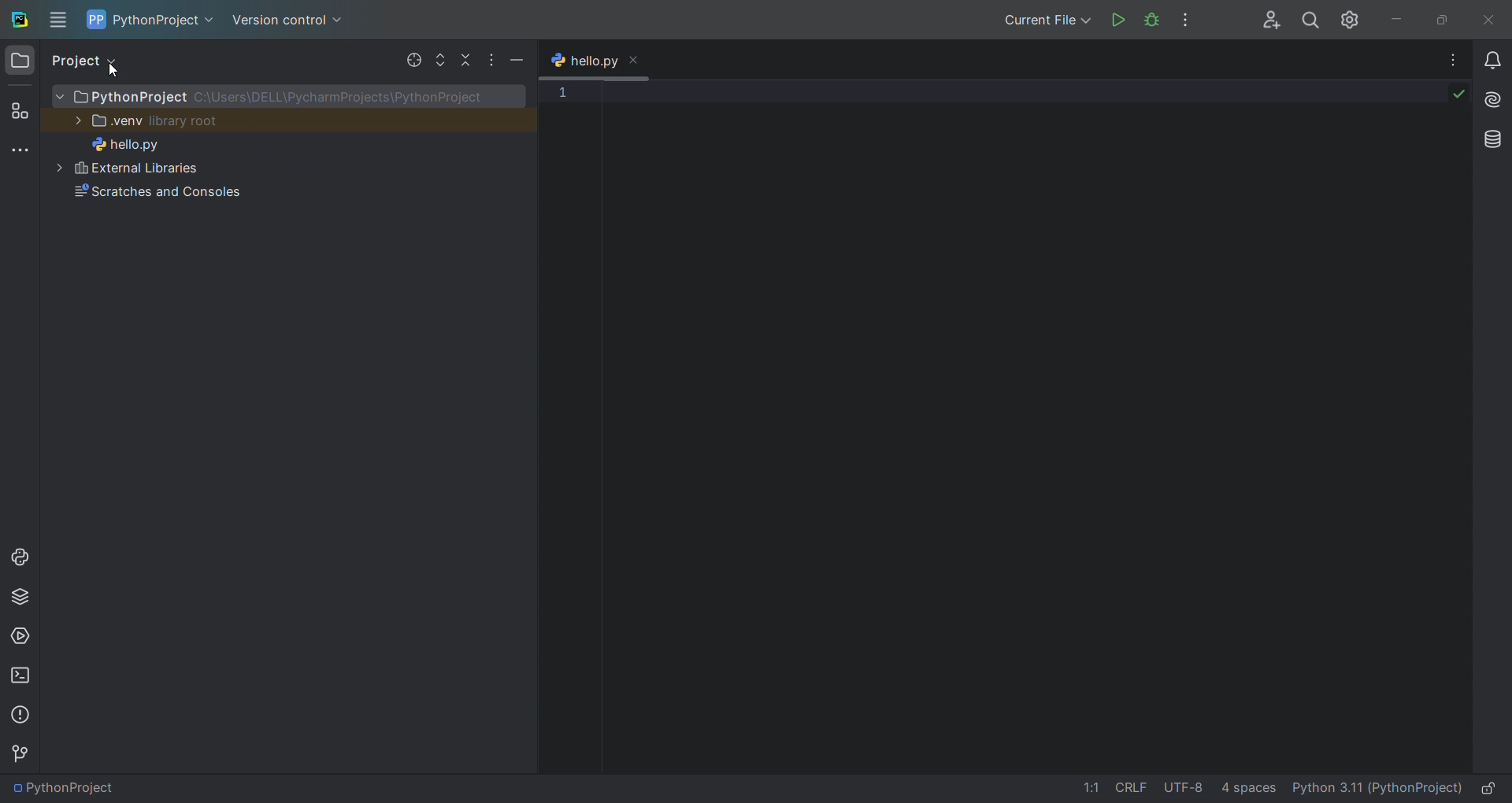  What do you see at coordinates (567, 276) in the screenshot?
I see `line number` at bounding box center [567, 276].